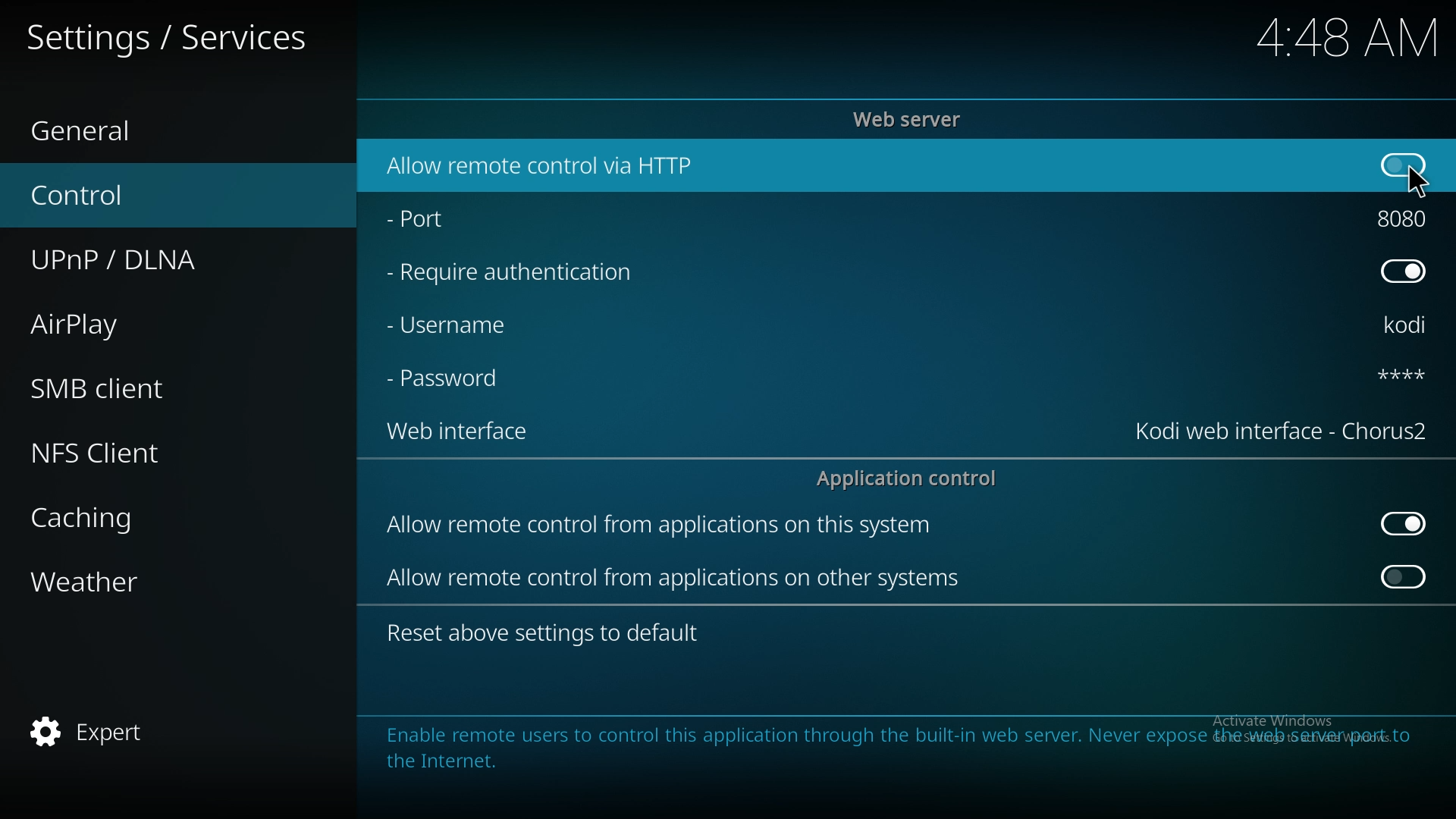 This screenshot has height=819, width=1456. Describe the element at coordinates (114, 326) in the screenshot. I see `airplay` at that location.